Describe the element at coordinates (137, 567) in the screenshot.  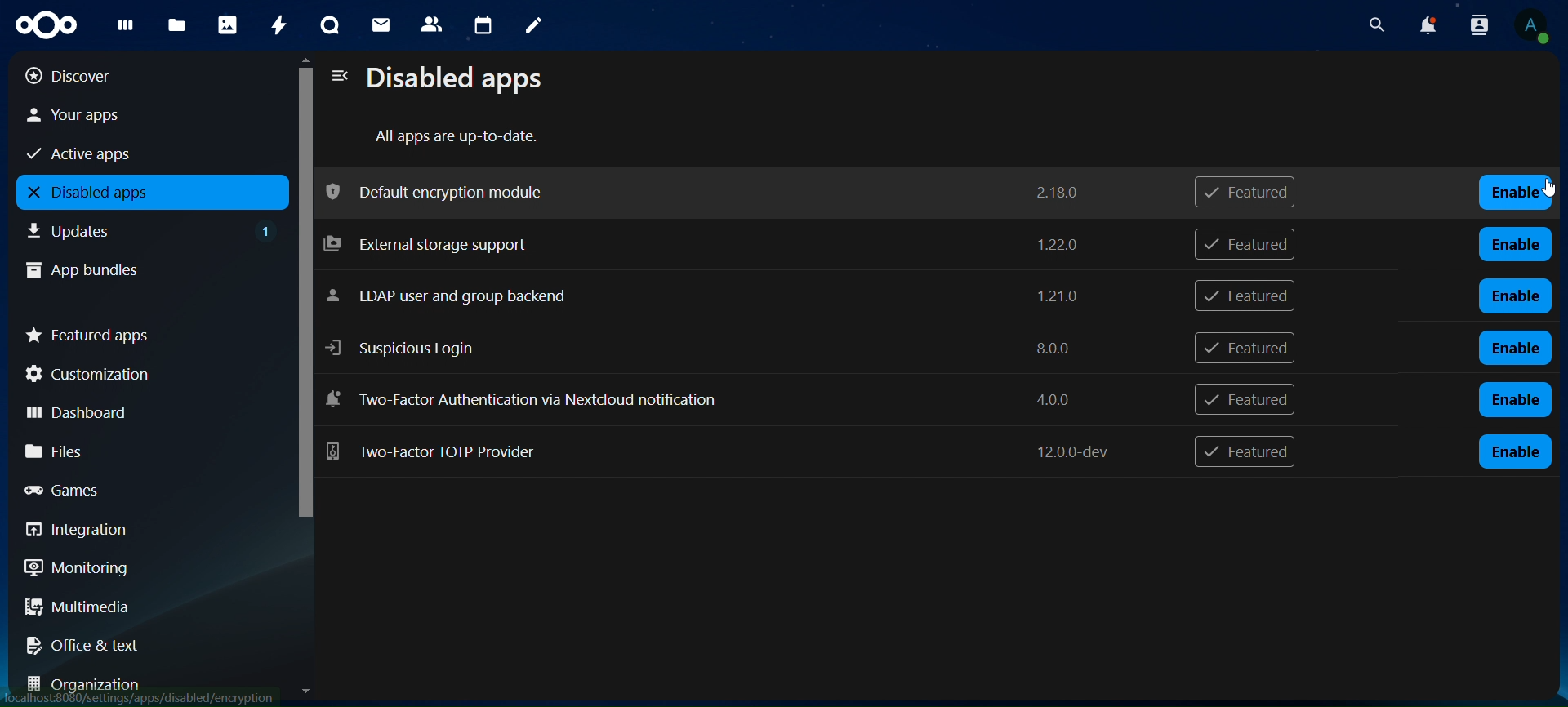
I see `monitoring` at that location.